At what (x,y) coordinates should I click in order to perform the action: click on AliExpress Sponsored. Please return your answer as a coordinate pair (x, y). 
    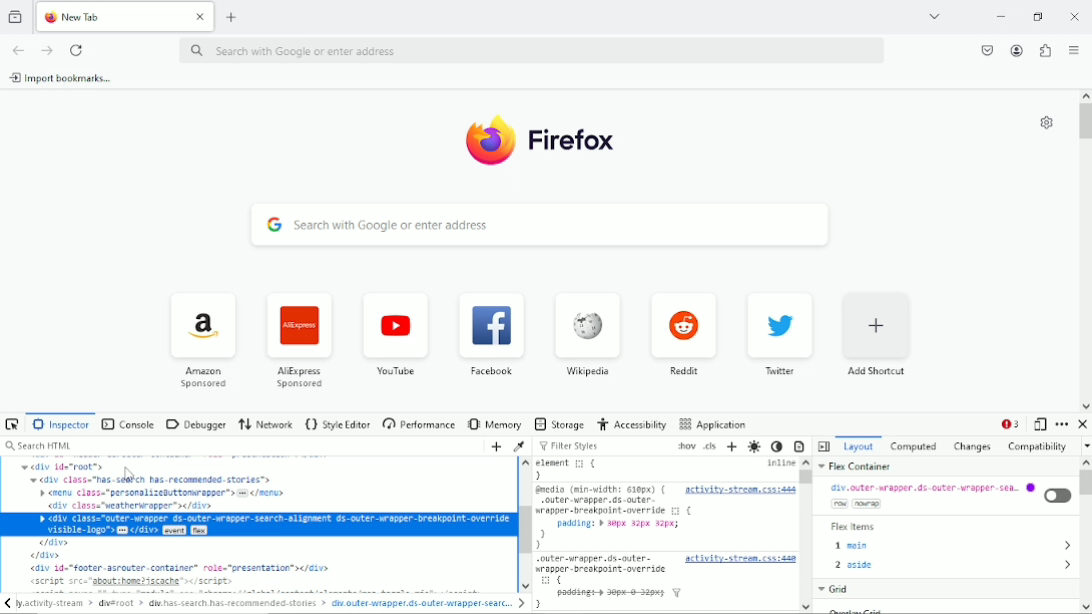
    Looking at the image, I should click on (296, 338).